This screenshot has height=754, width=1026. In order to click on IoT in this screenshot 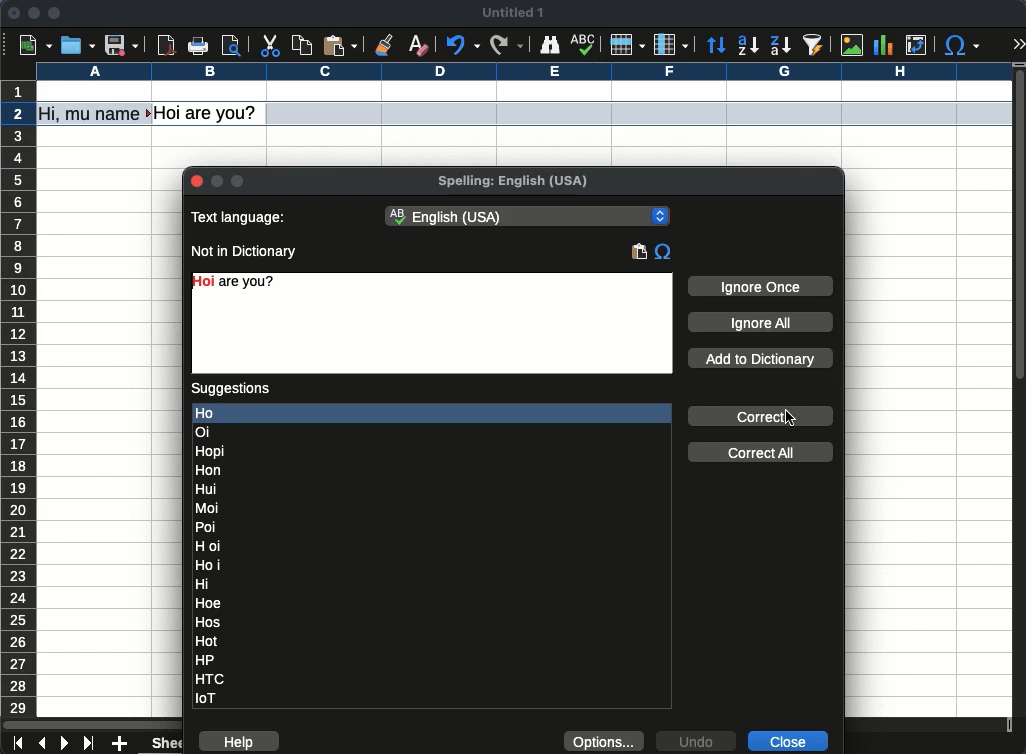, I will do `click(210, 698)`.